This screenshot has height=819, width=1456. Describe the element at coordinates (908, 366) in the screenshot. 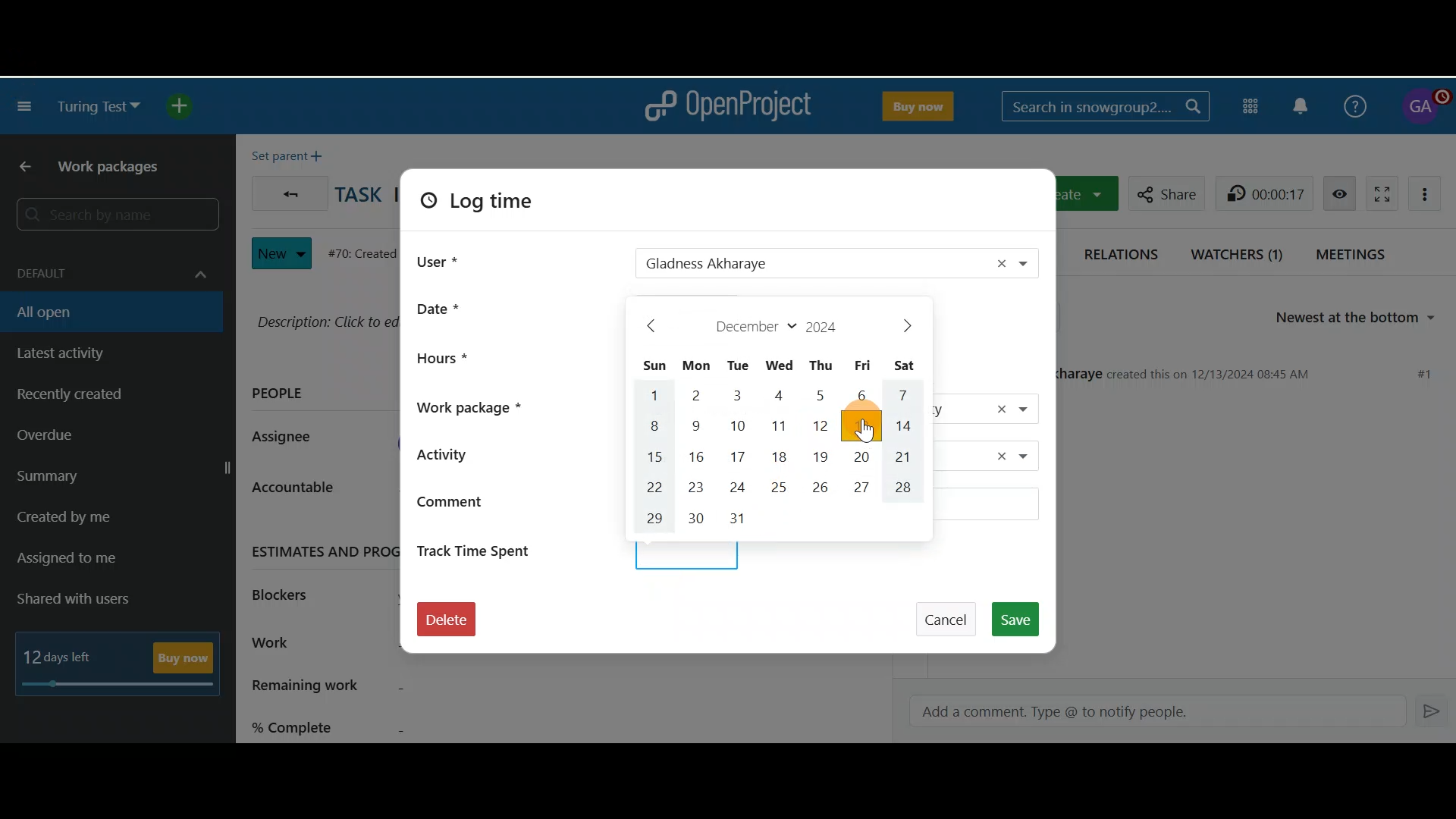

I see `Sat` at that location.